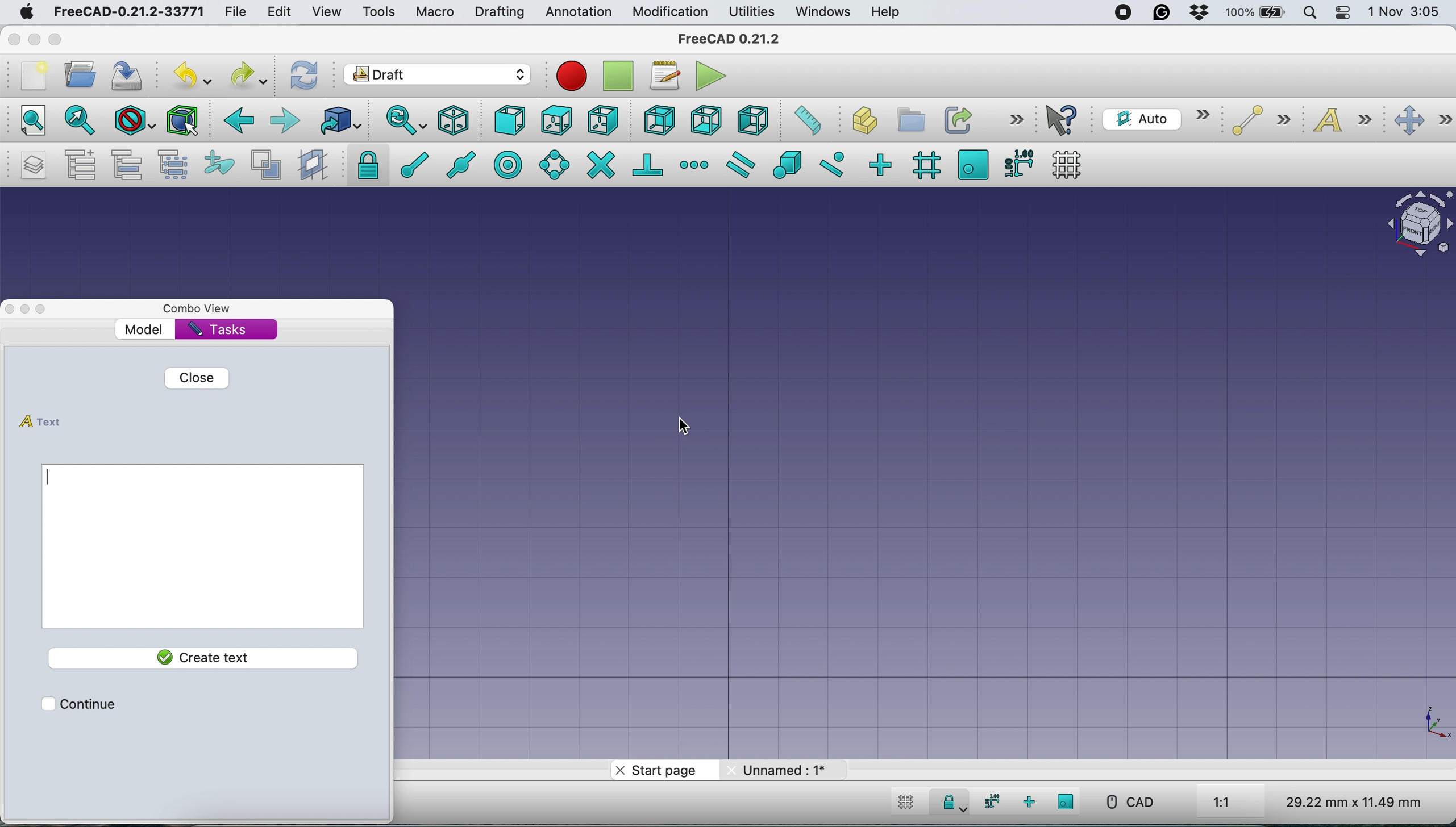 This screenshot has height=827, width=1456. I want to click on toggle grid, so click(1067, 165).